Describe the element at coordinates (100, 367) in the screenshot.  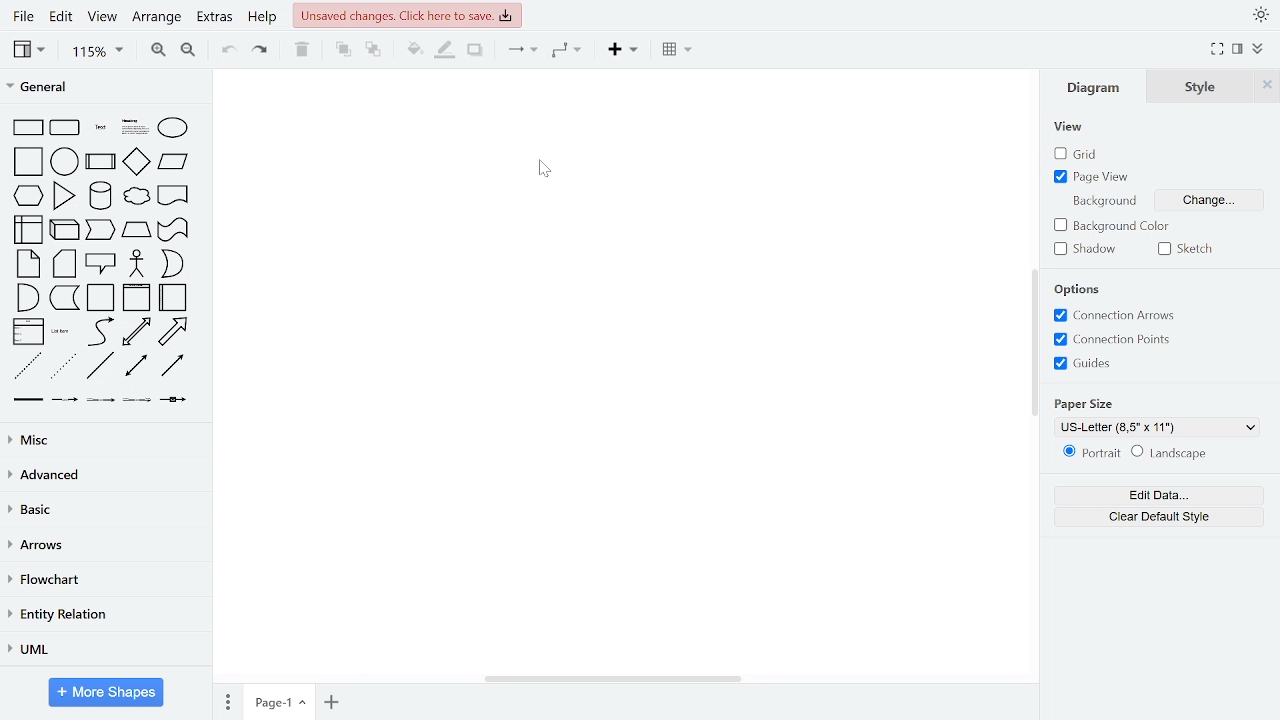
I see `line` at that location.